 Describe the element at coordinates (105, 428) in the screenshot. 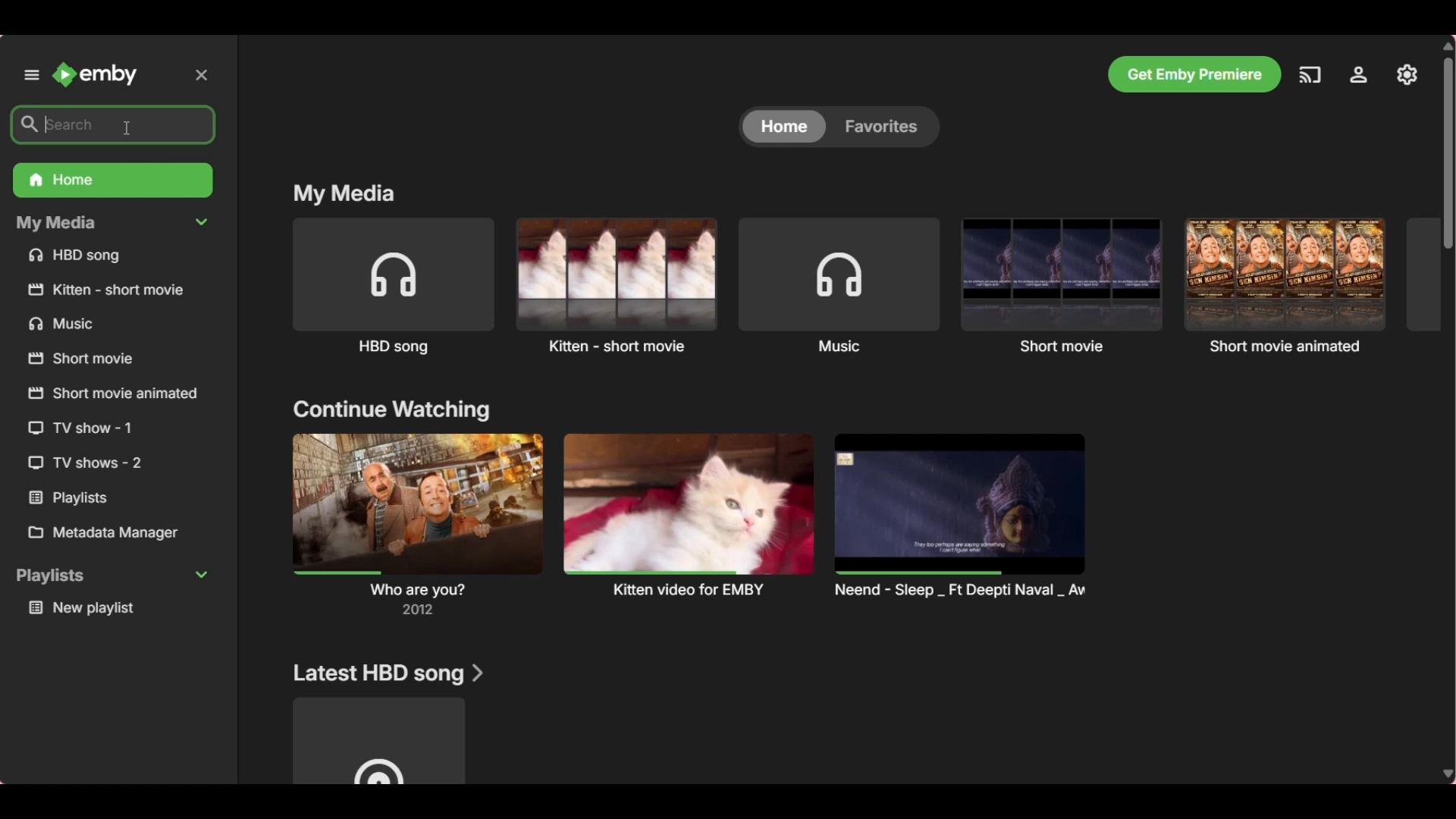

I see `` at that location.